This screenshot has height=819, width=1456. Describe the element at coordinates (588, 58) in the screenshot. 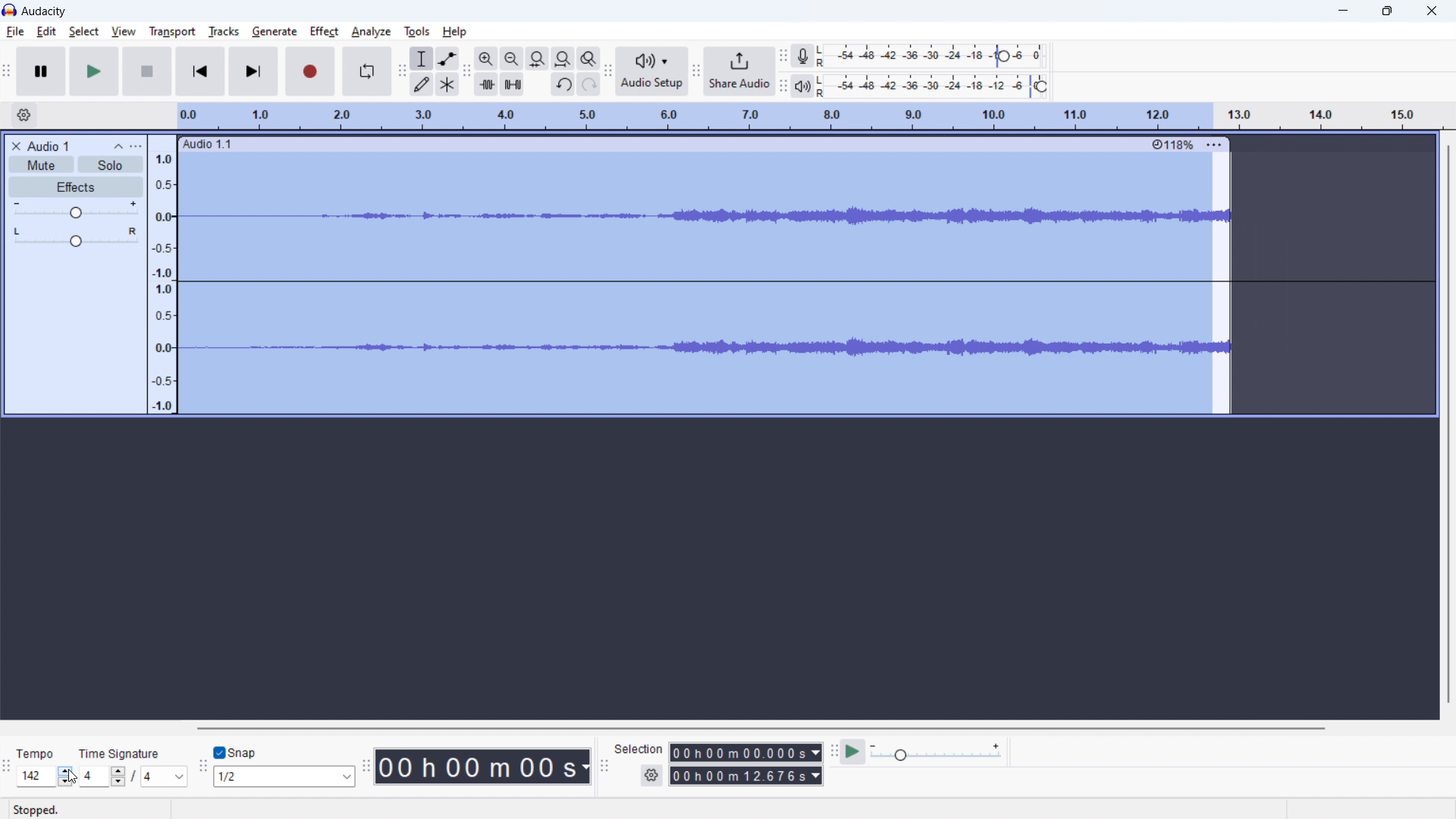

I see `toggle zoom` at that location.